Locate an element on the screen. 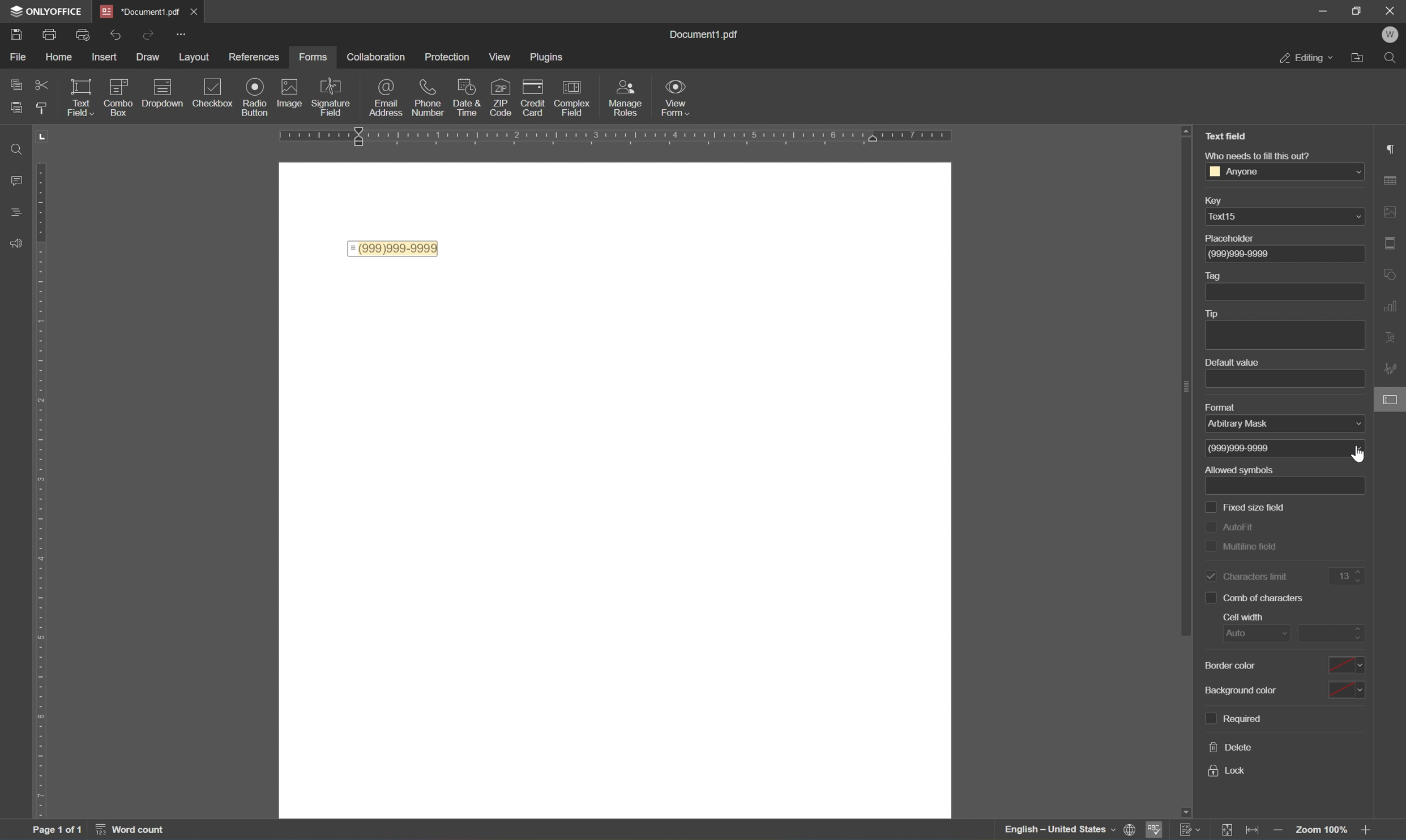  icon is located at coordinates (535, 94).